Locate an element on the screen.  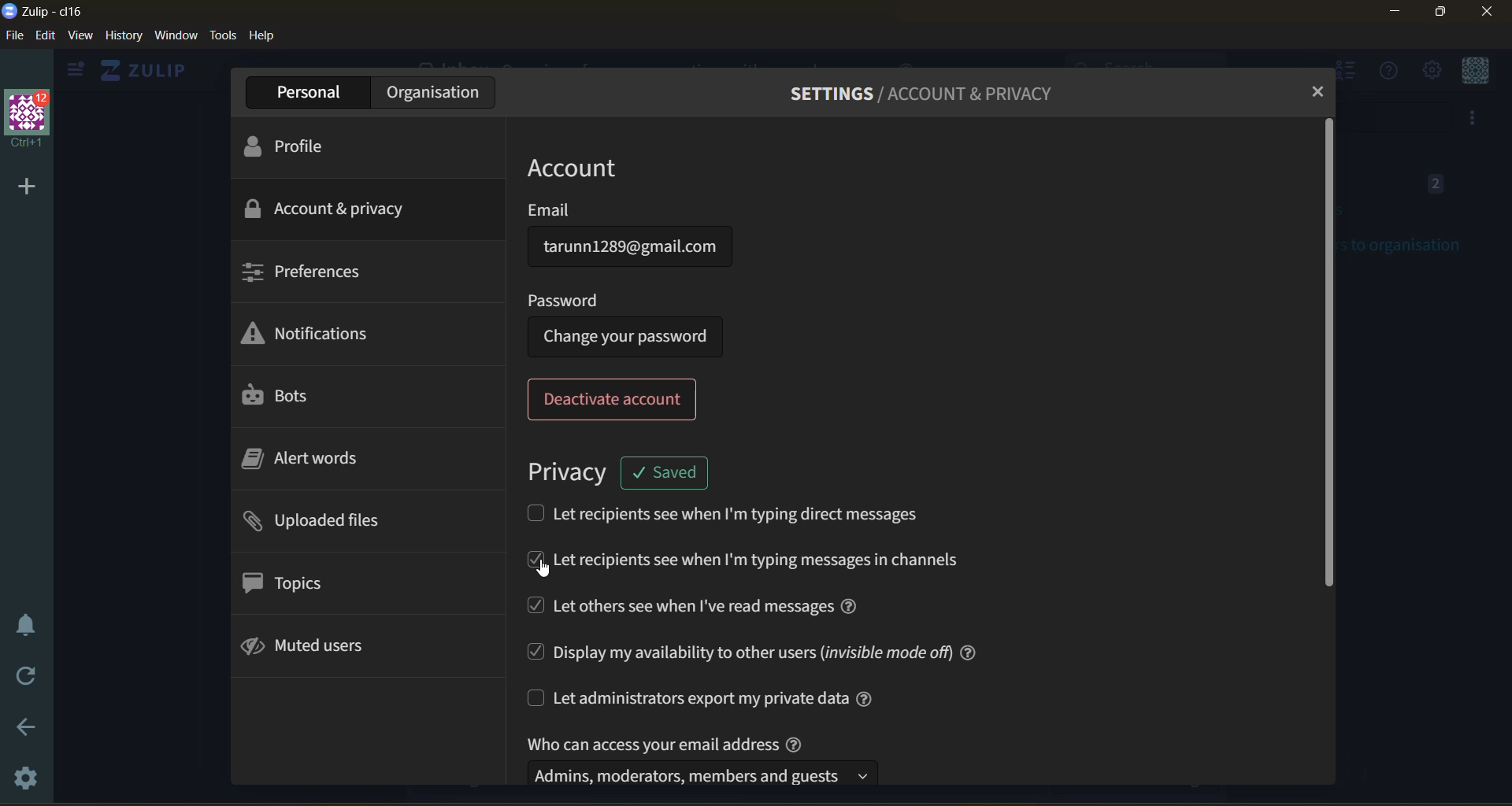
close tab is located at coordinates (1314, 92).